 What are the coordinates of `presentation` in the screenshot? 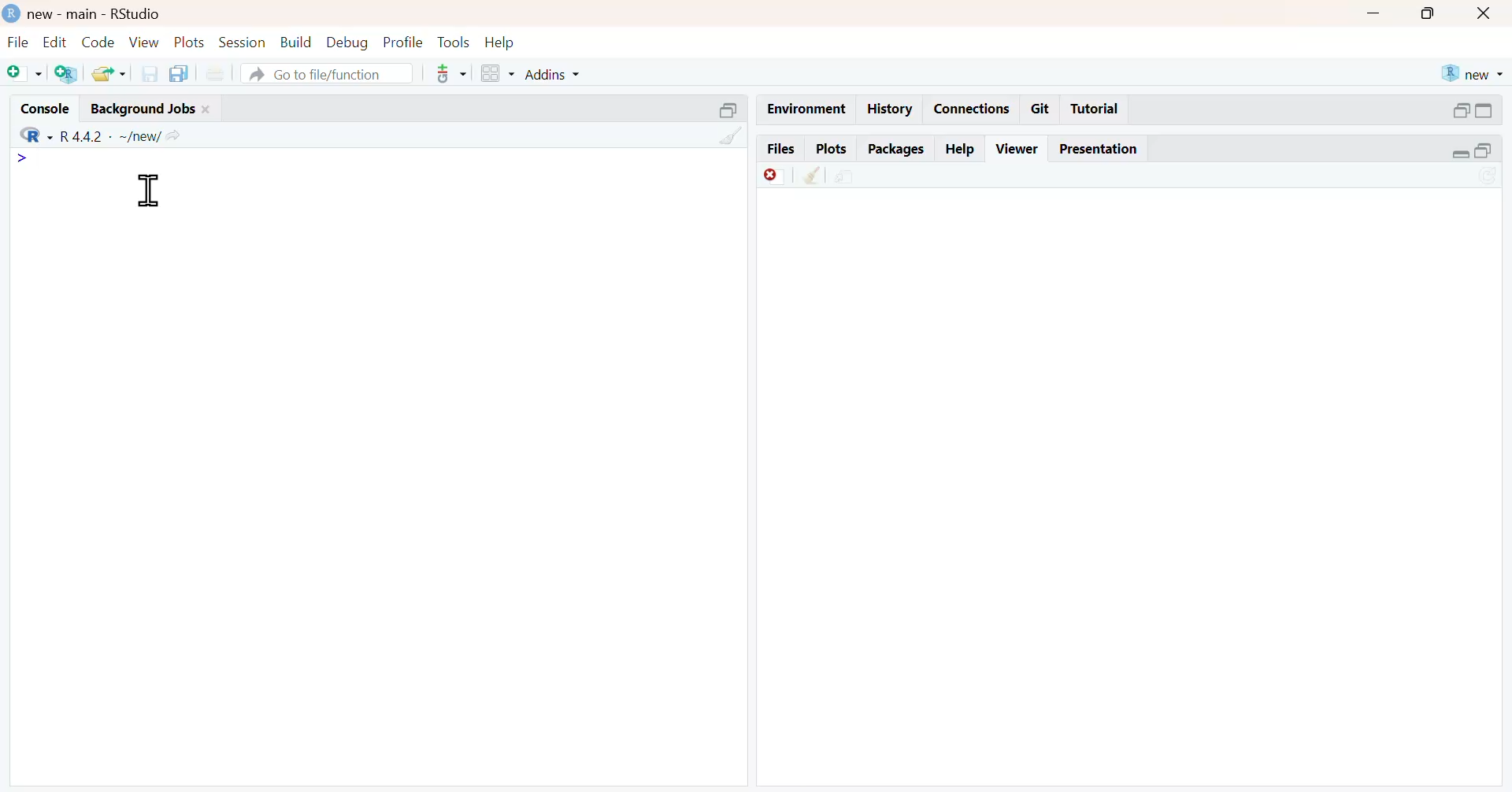 It's located at (1101, 149).